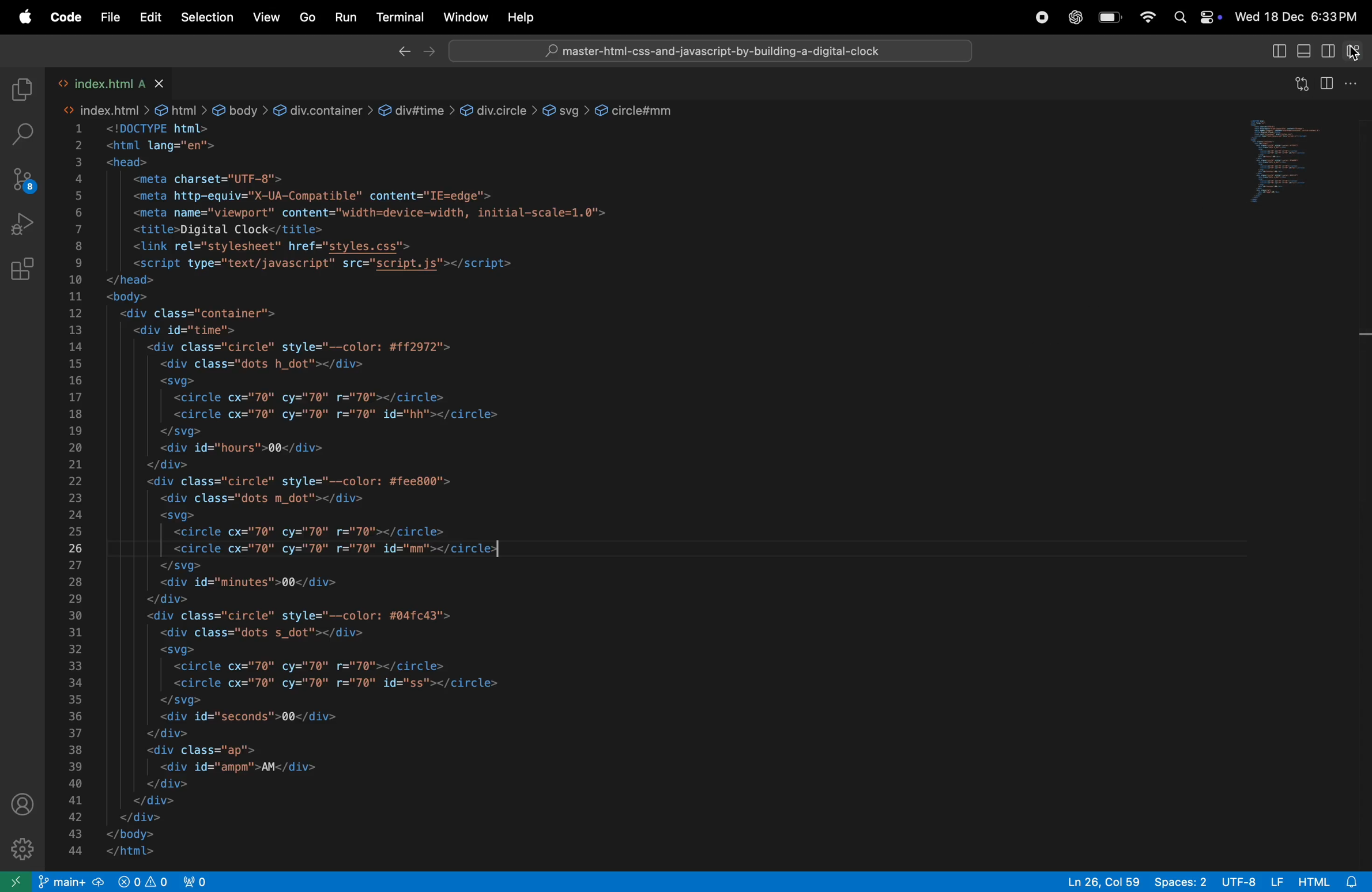 The image size is (1372, 892). I want to click on run and debug, so click(22, 224).